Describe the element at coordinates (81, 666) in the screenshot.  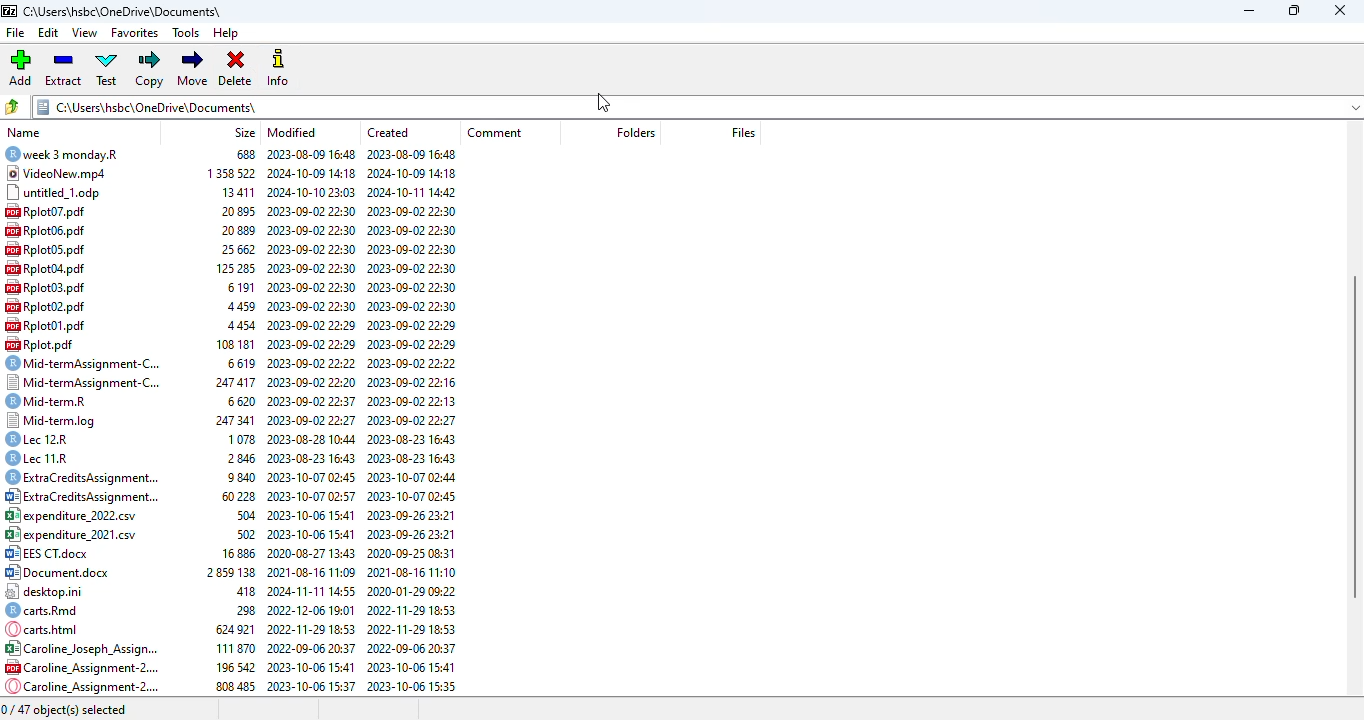
I see ` Caroline Assianment-2.` at that location.